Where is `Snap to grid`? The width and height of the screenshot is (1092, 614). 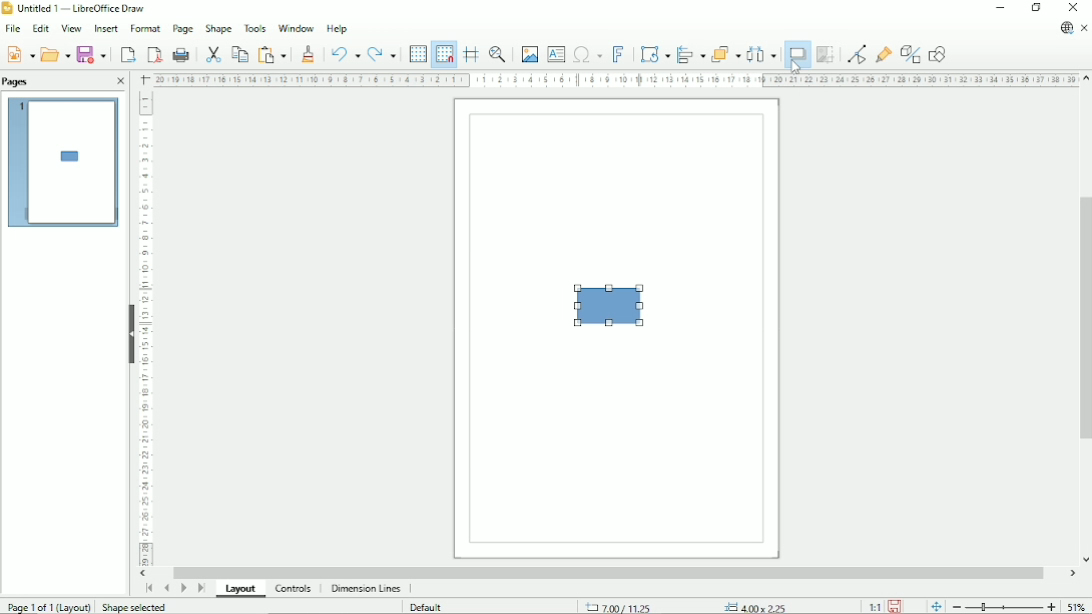 Snap to grid is located at coordinates (444, 54).